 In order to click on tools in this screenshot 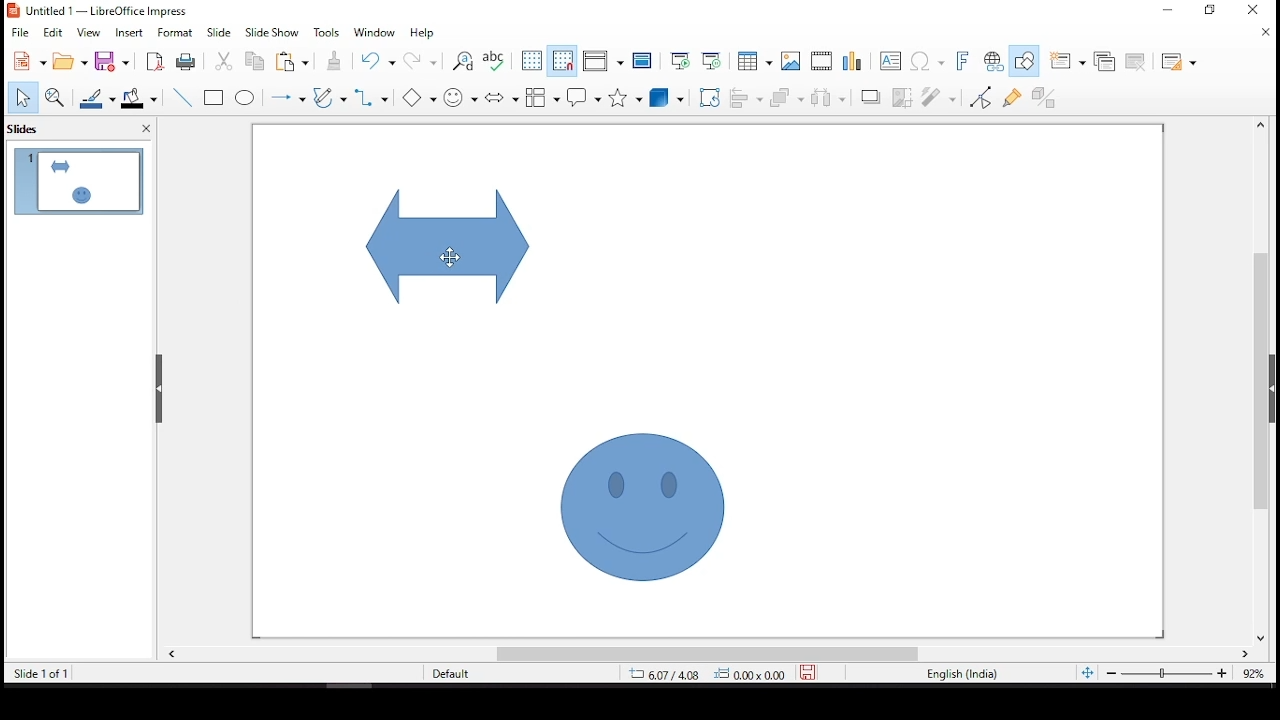, I will do `click(327, 33)`.